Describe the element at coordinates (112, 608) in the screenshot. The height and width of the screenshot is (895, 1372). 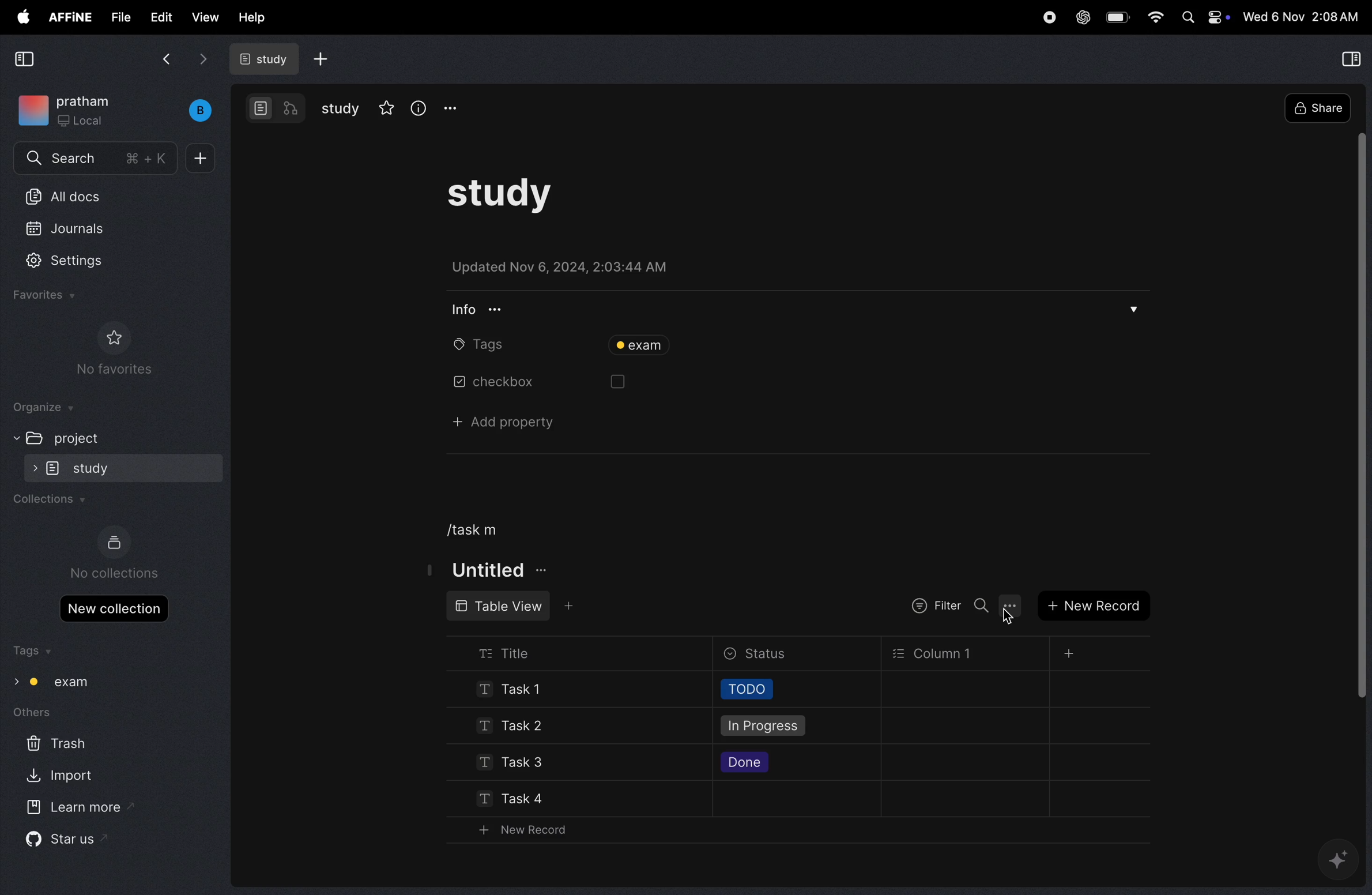
I see `new collections` at that location.